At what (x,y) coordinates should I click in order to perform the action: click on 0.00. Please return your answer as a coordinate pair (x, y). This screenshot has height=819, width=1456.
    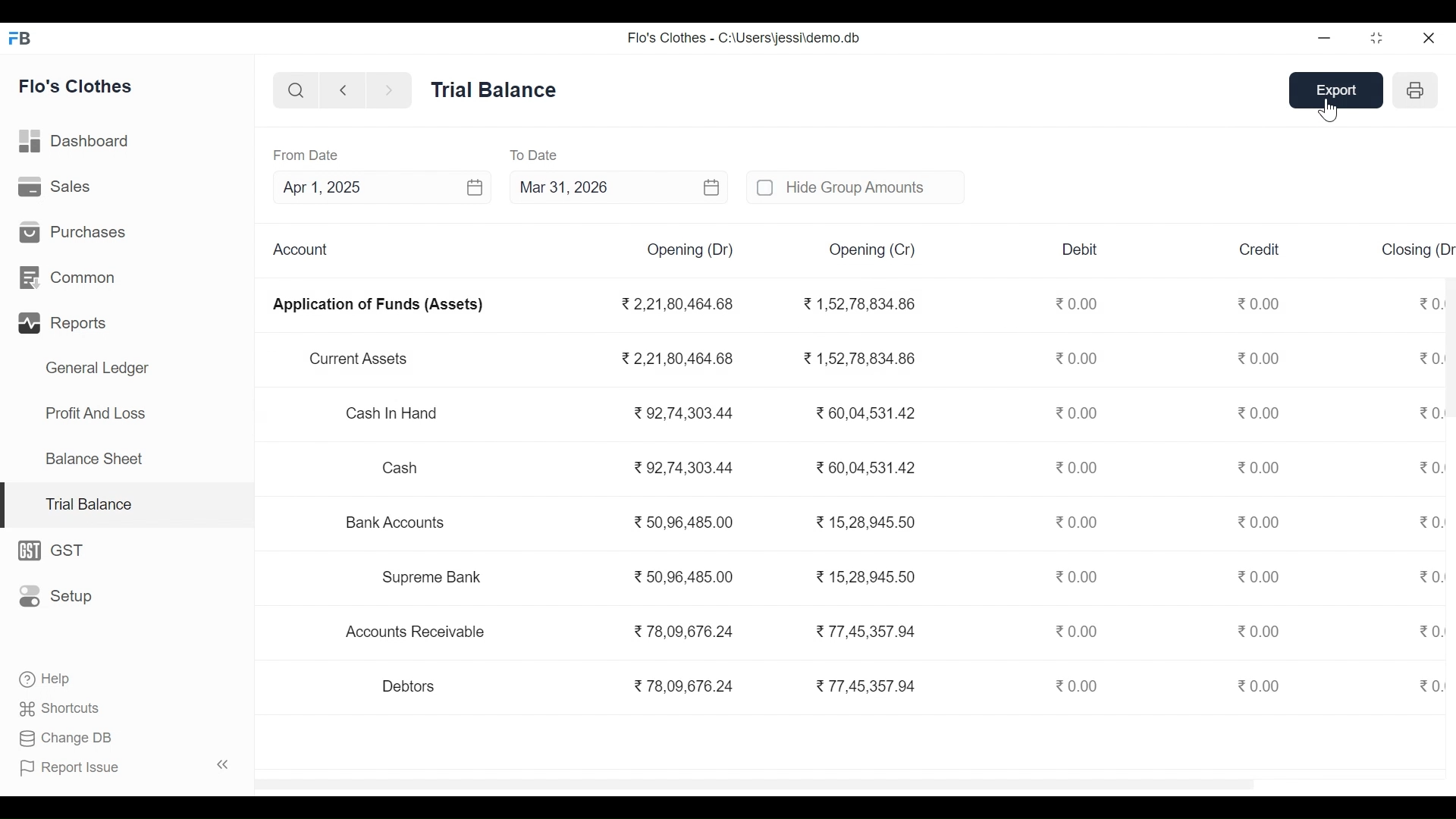
    Looking at the image, I should click on (1261, 413).